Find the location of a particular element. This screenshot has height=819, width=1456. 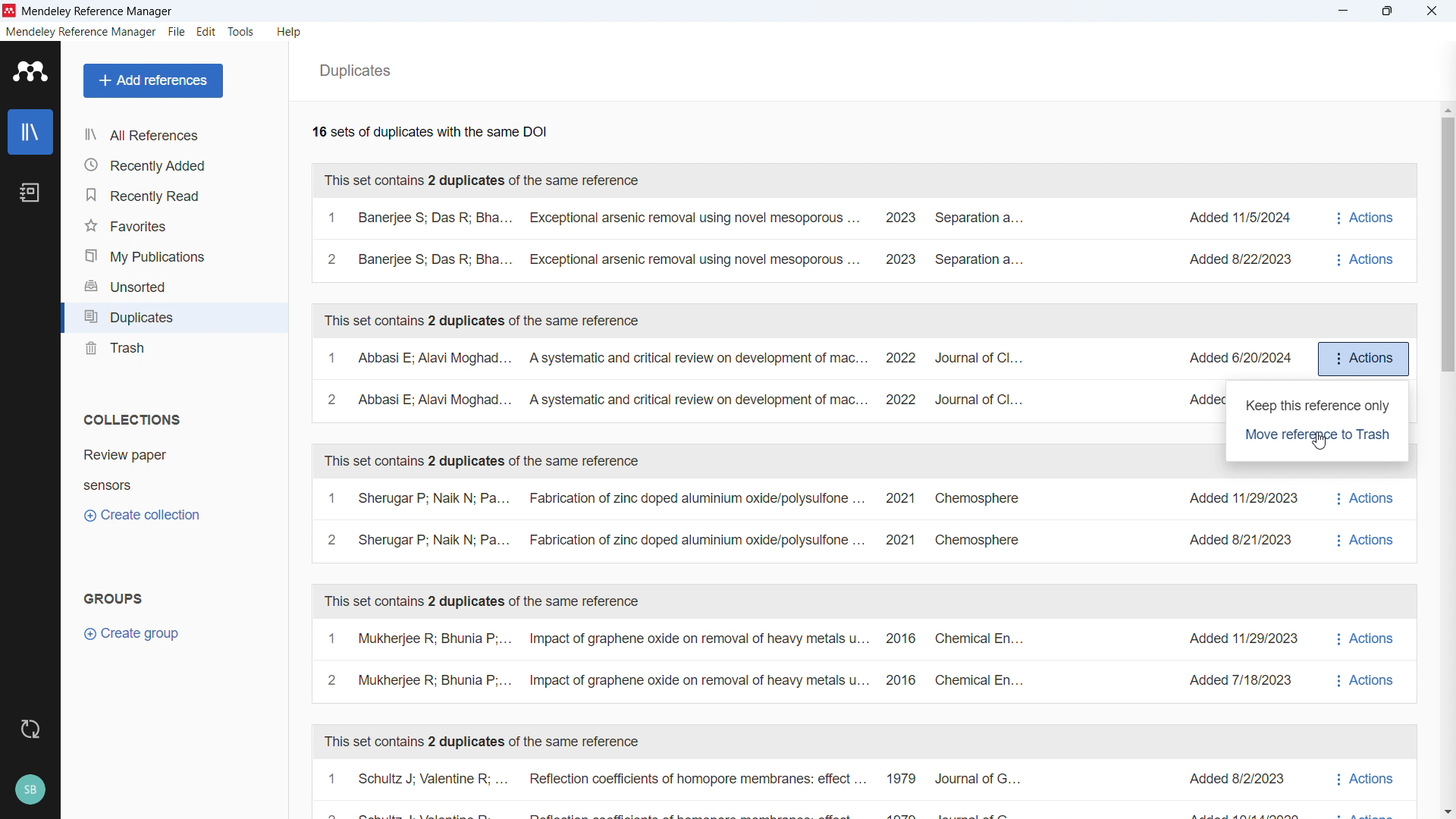

Collection 2  is located at coordinates (110, 485).